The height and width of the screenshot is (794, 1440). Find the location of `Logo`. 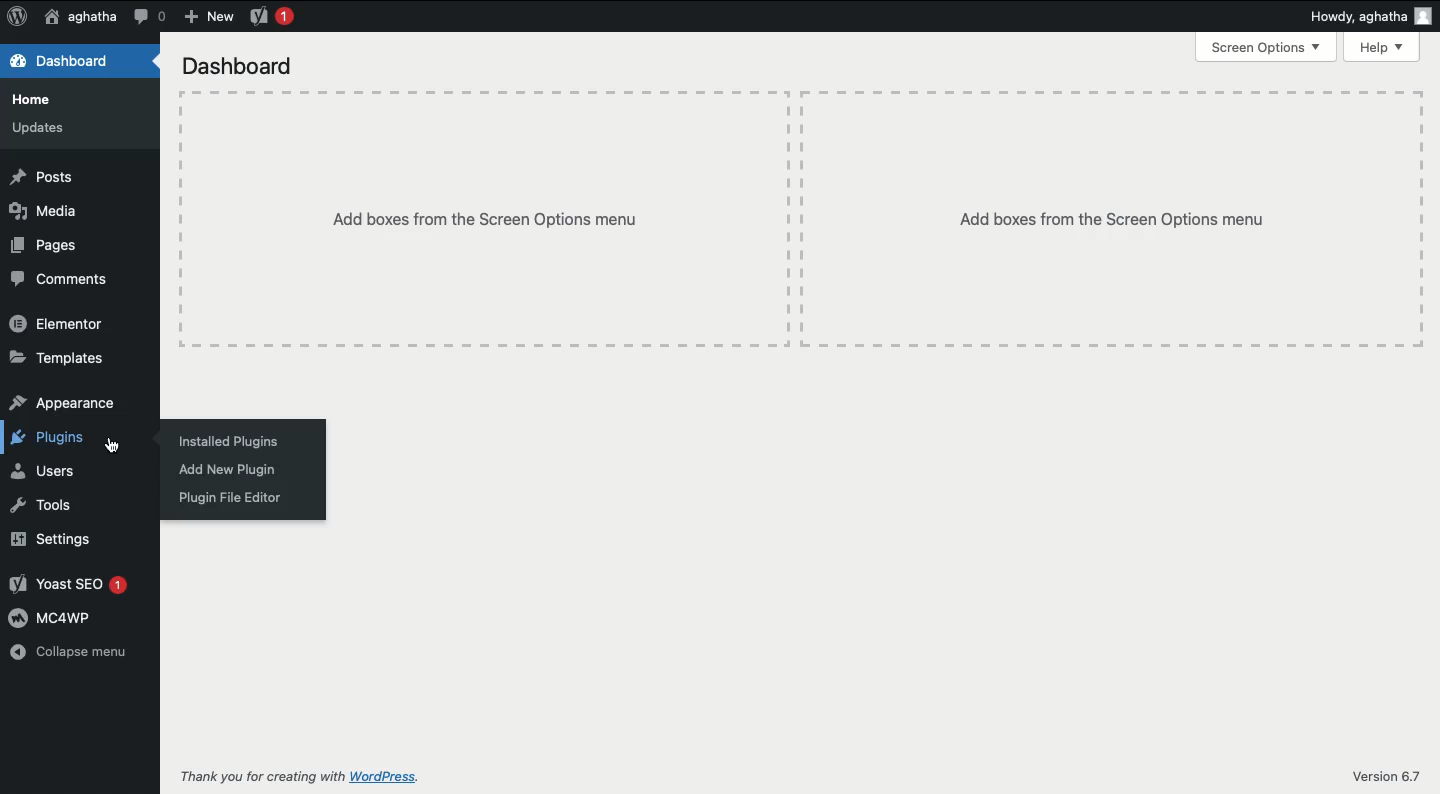

Logo is located at coordinates (17, 18).